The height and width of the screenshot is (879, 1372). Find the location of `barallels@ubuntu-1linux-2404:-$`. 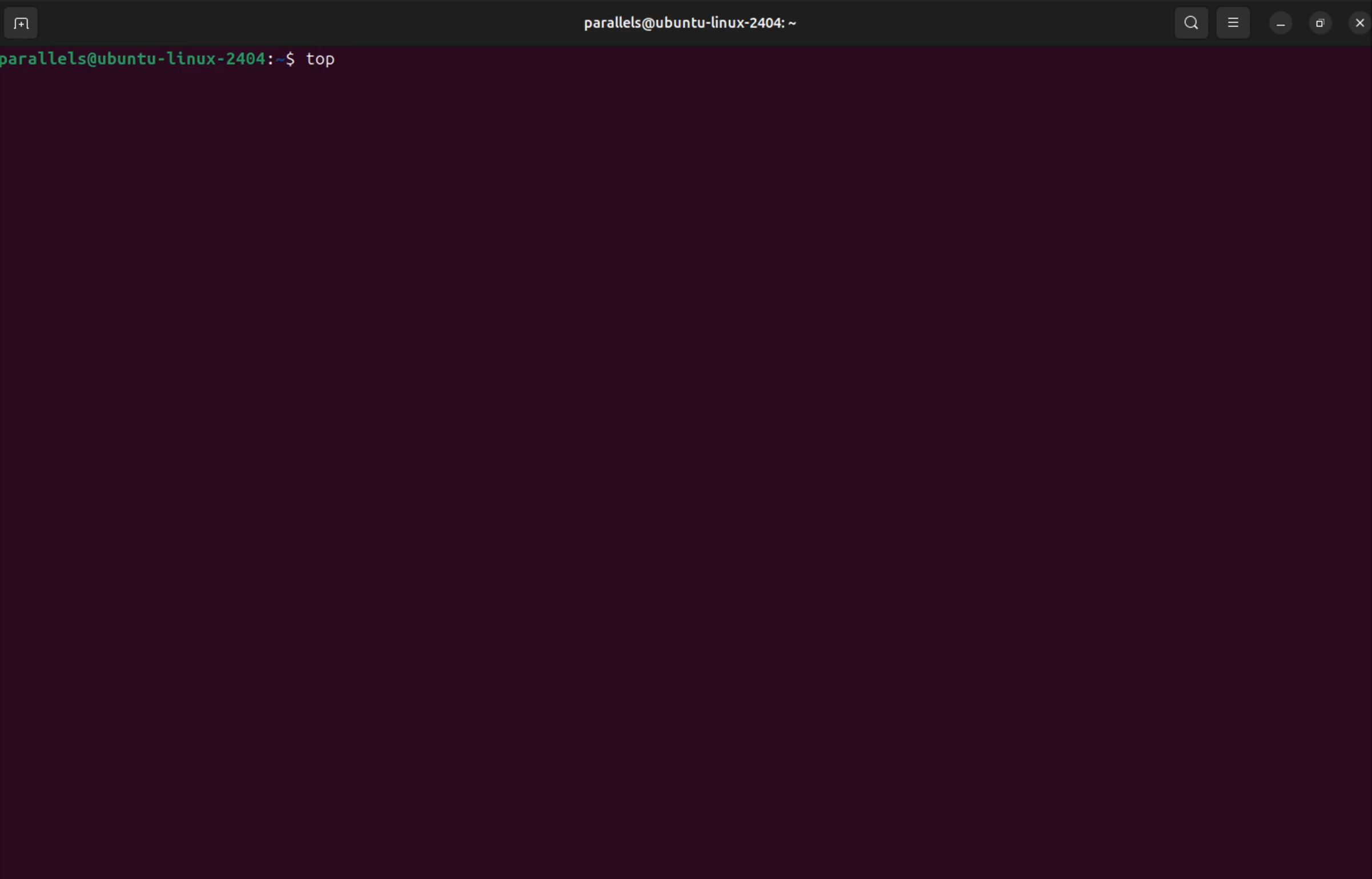

barallels@ubuntu-1linux-2404:-$ is located at coordinates (148, 57).